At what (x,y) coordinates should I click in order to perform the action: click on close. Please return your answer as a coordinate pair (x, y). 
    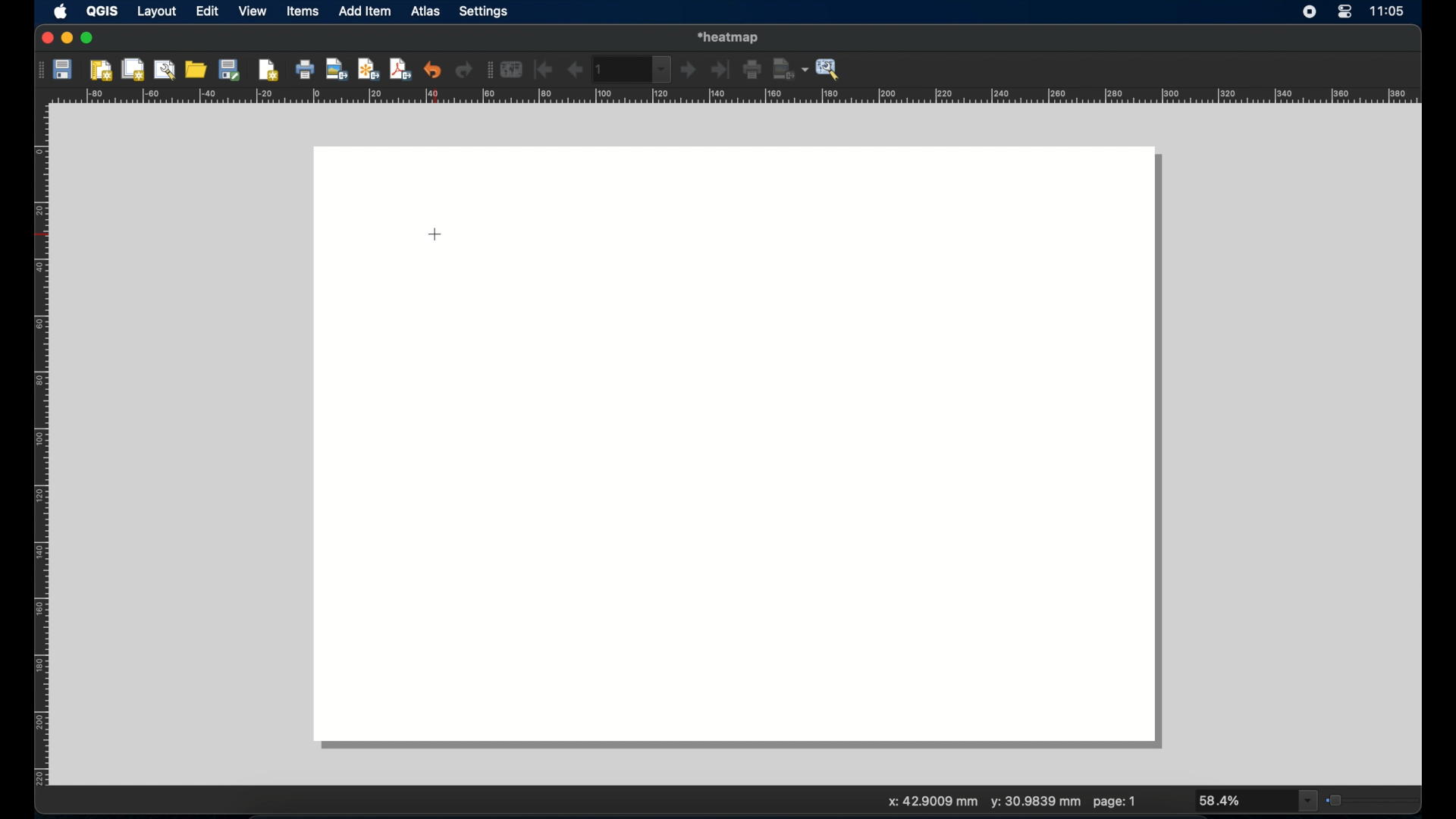
    Looking at the image, I should click on (45, 39).